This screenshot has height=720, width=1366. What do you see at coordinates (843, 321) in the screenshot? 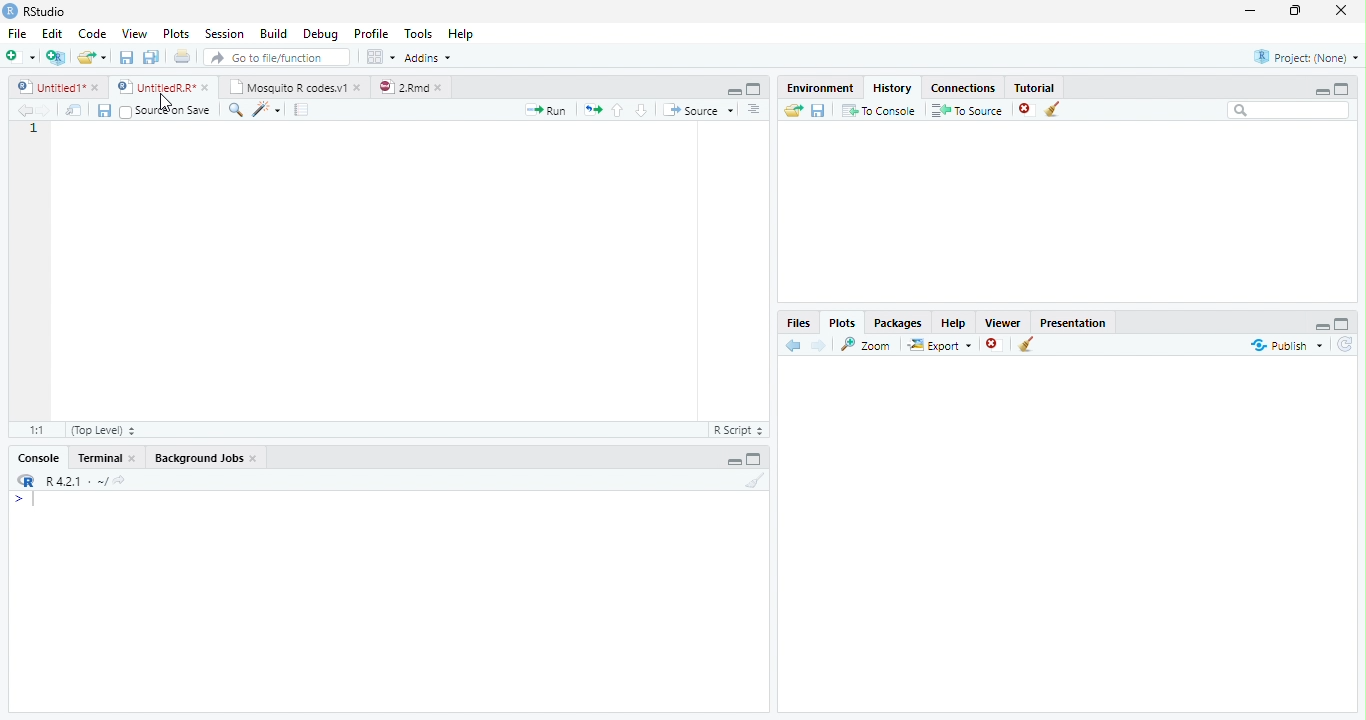
I see `Plots` at bounding box center [843, 321].